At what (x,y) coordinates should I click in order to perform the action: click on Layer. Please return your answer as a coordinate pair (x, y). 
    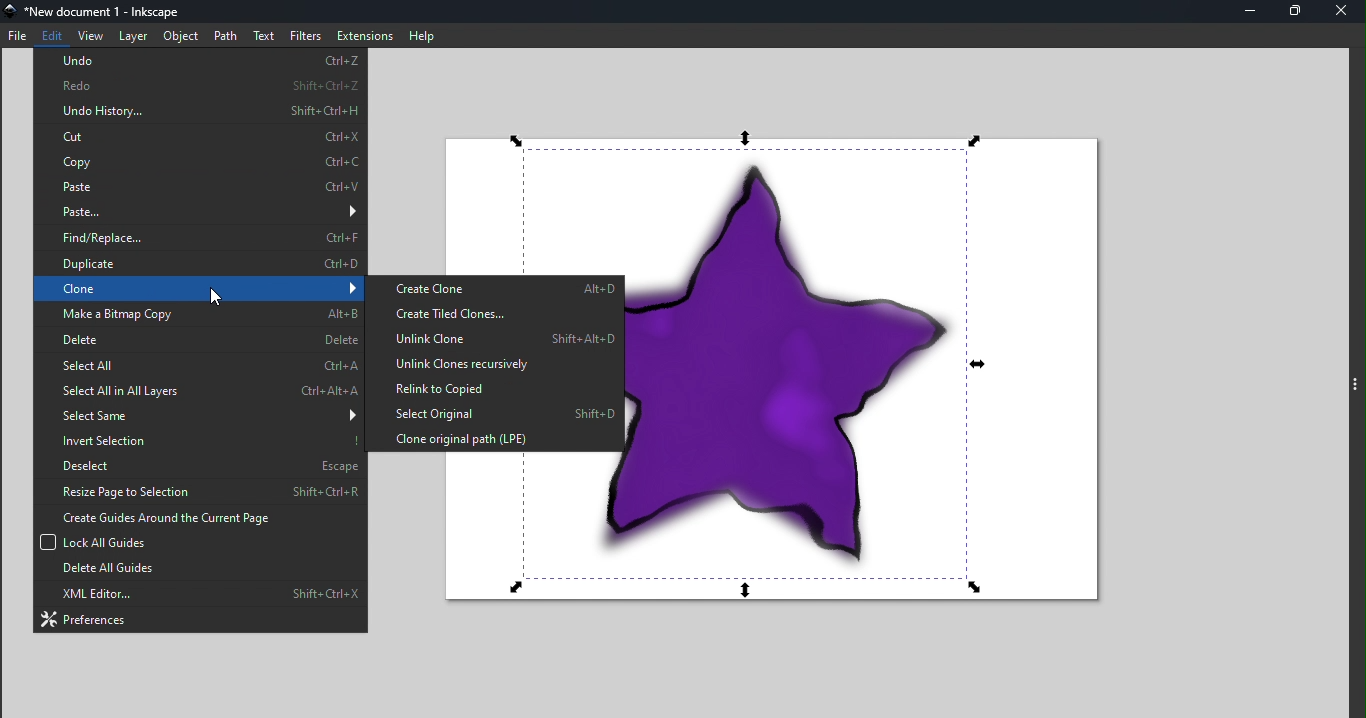
    Looking at the image, I should click on (133, 35).